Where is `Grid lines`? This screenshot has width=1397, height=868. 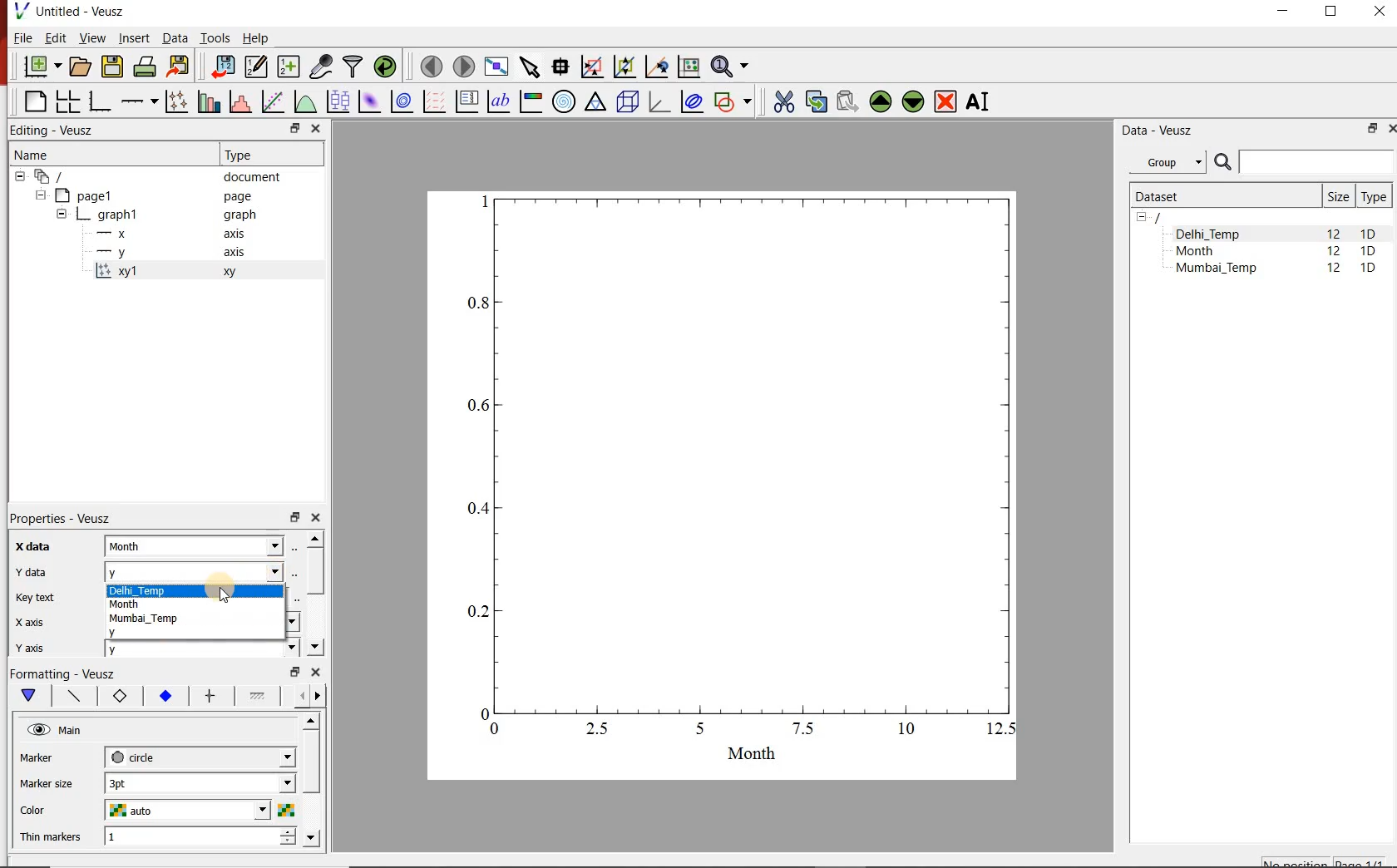 Grid lines is located at coordinates (310, 698).